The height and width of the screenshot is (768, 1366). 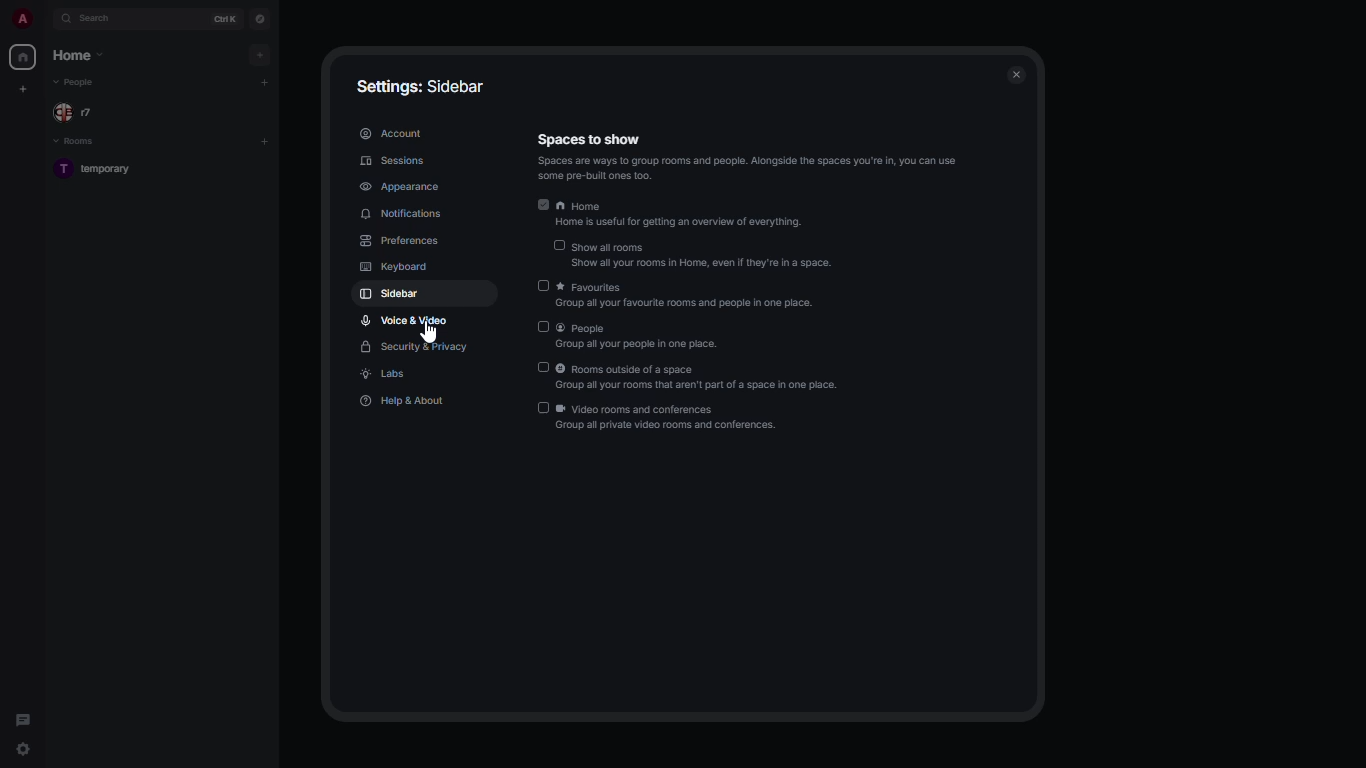 I want to click on add, so click(x=261, y=54).